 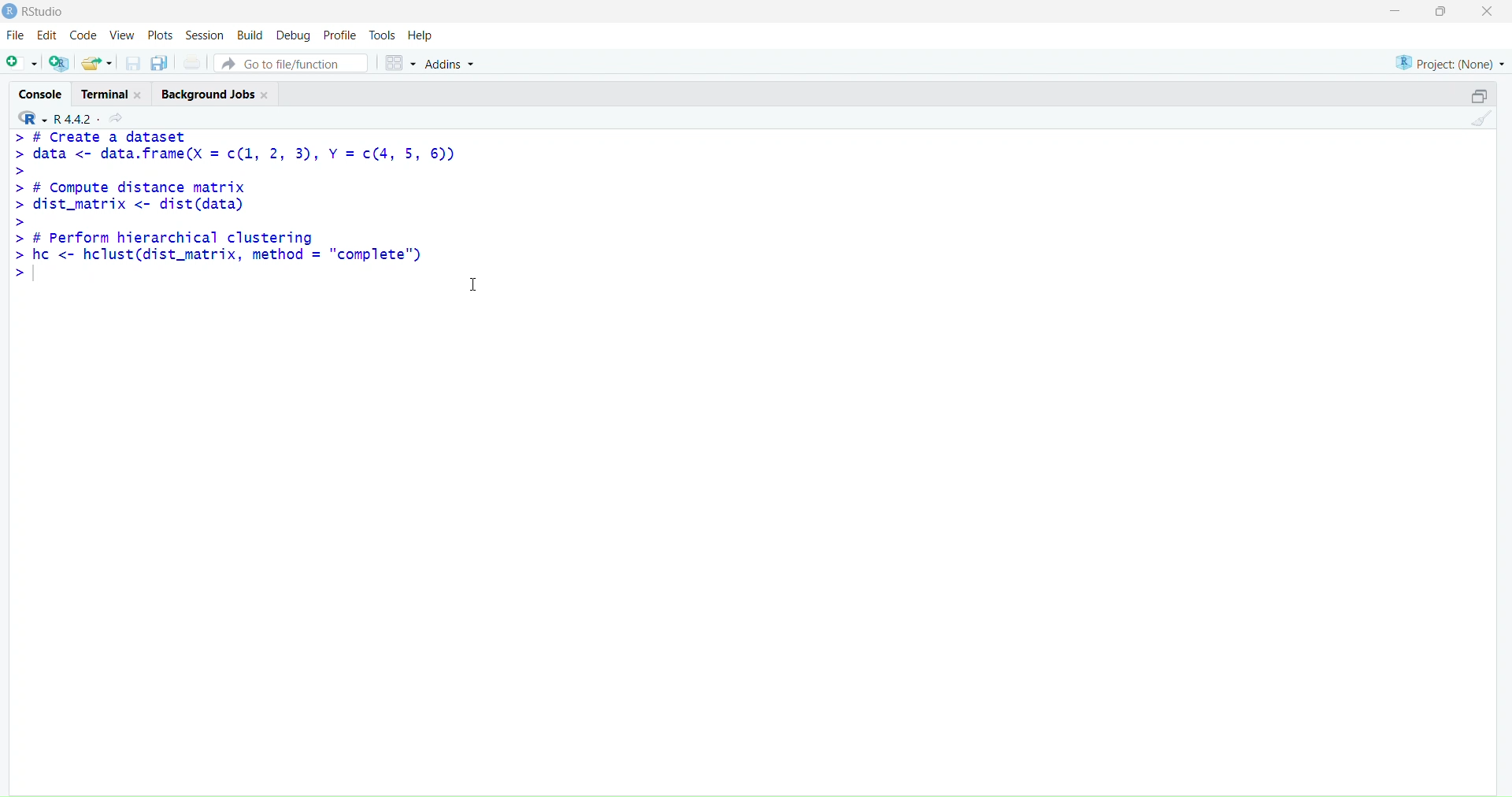 I want to click on Go to file/function, so click(x=296, y=61).